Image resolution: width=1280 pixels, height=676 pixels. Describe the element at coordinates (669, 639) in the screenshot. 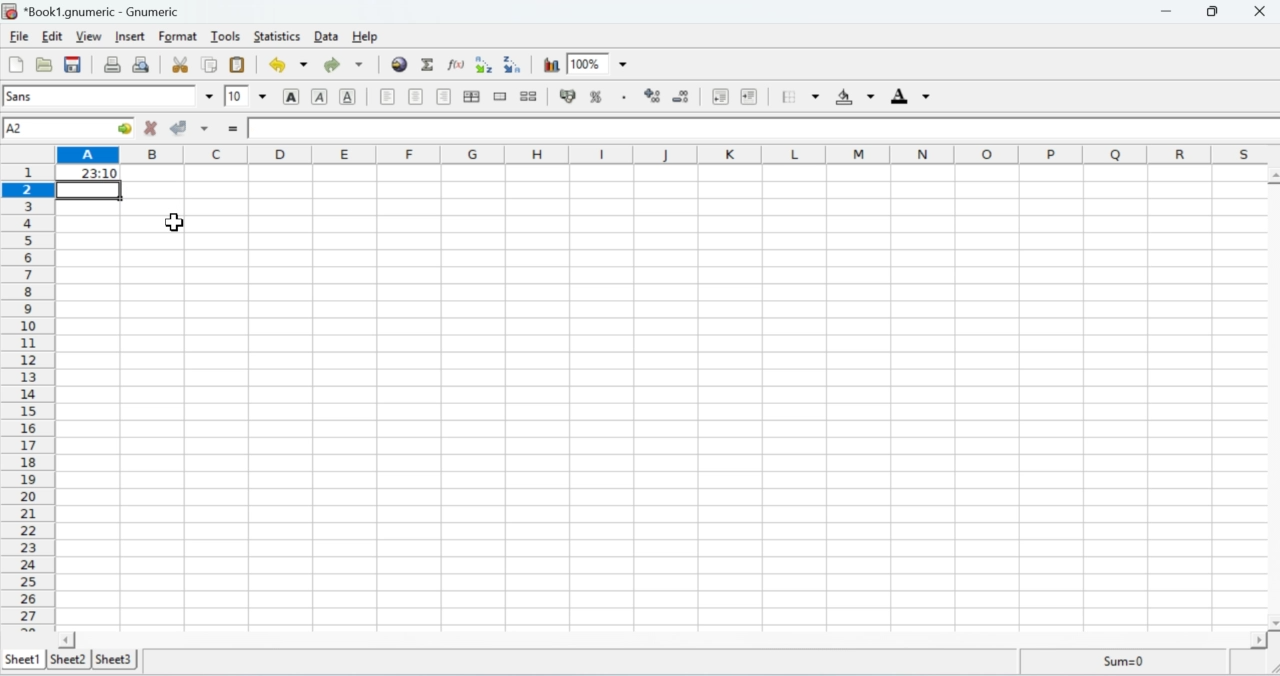

I see `Scroll bar` at that location.